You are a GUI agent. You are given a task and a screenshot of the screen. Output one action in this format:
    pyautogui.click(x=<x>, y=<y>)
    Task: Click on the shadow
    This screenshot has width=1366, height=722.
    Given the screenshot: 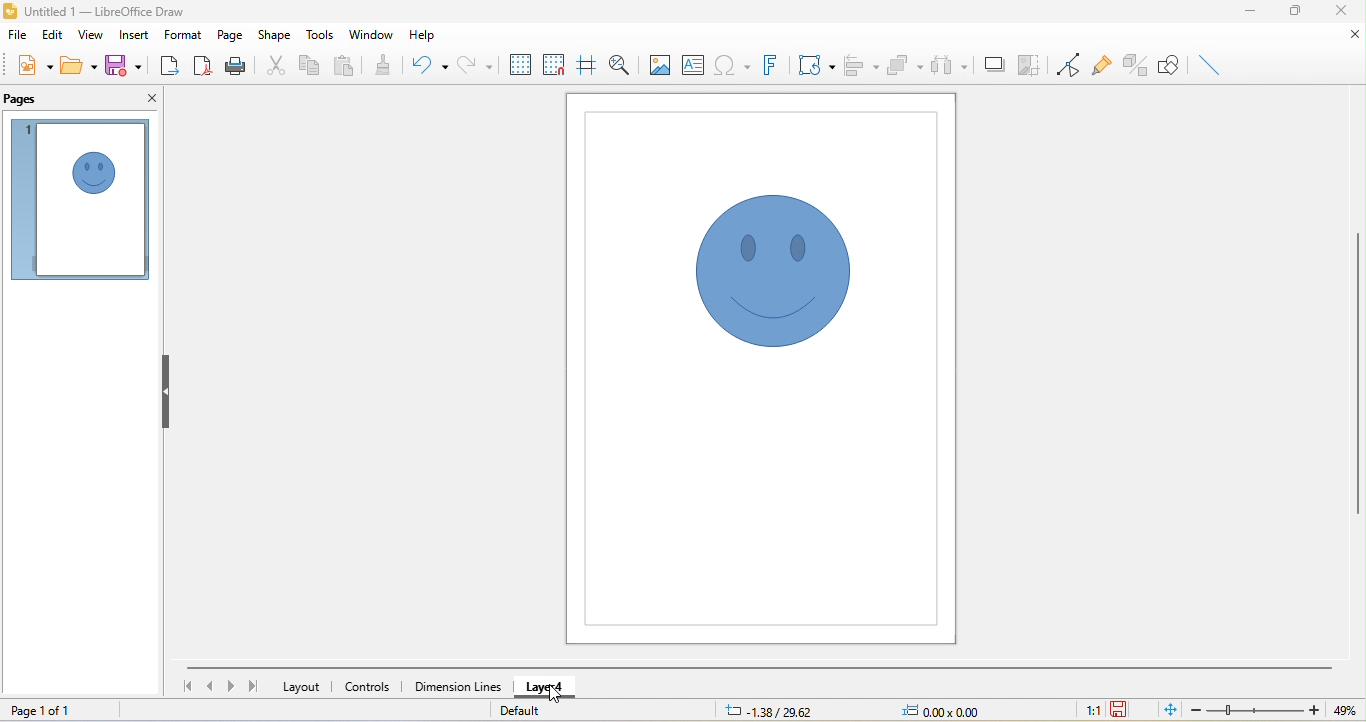 What is the action you would take?
    pyautogui.click(x=993, y=64)
    